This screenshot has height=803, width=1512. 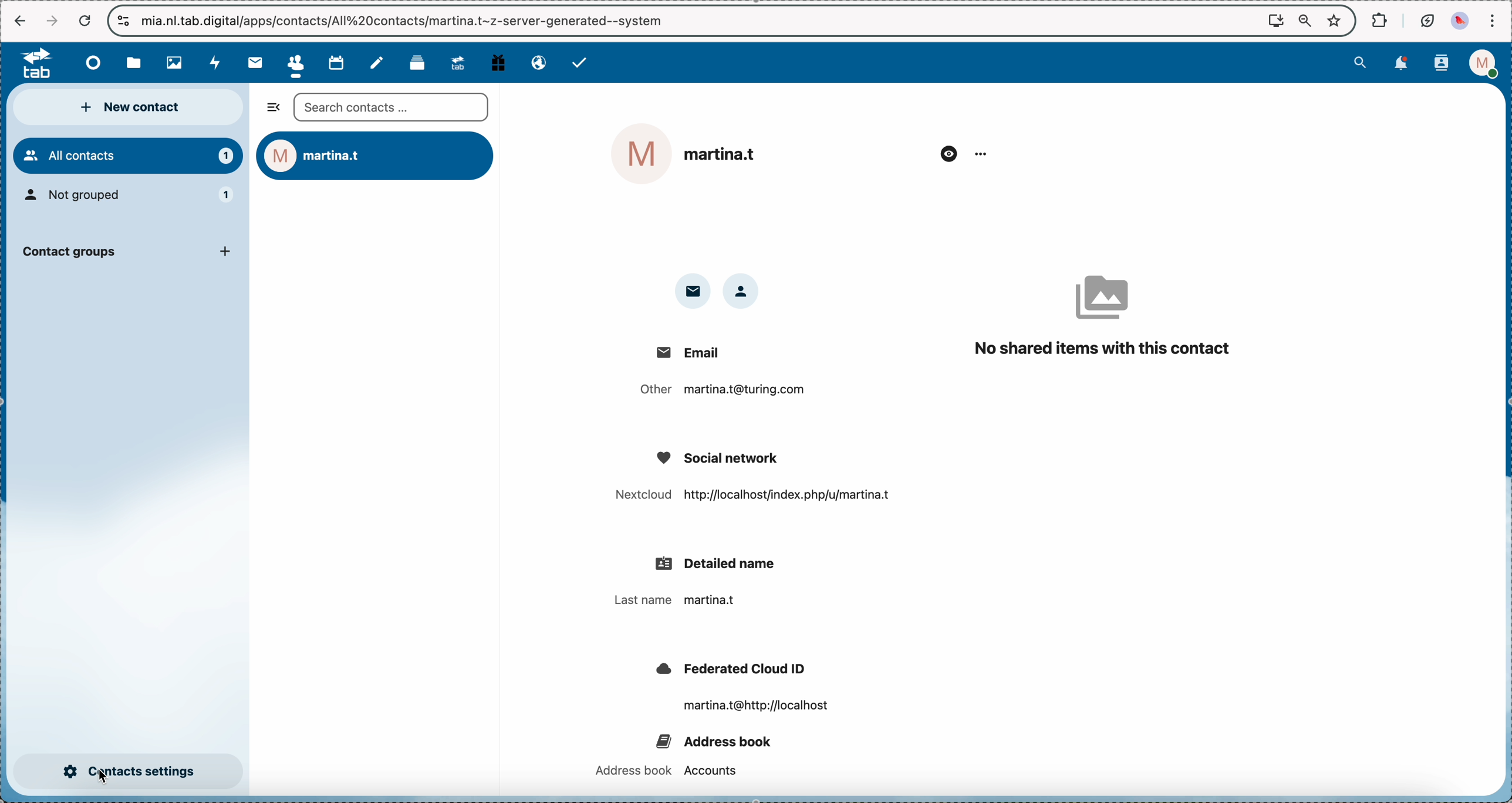 What do you see at coordinates (707, 582) in the screenshot?
I see `detailed name` at bounding box center [707, 582].